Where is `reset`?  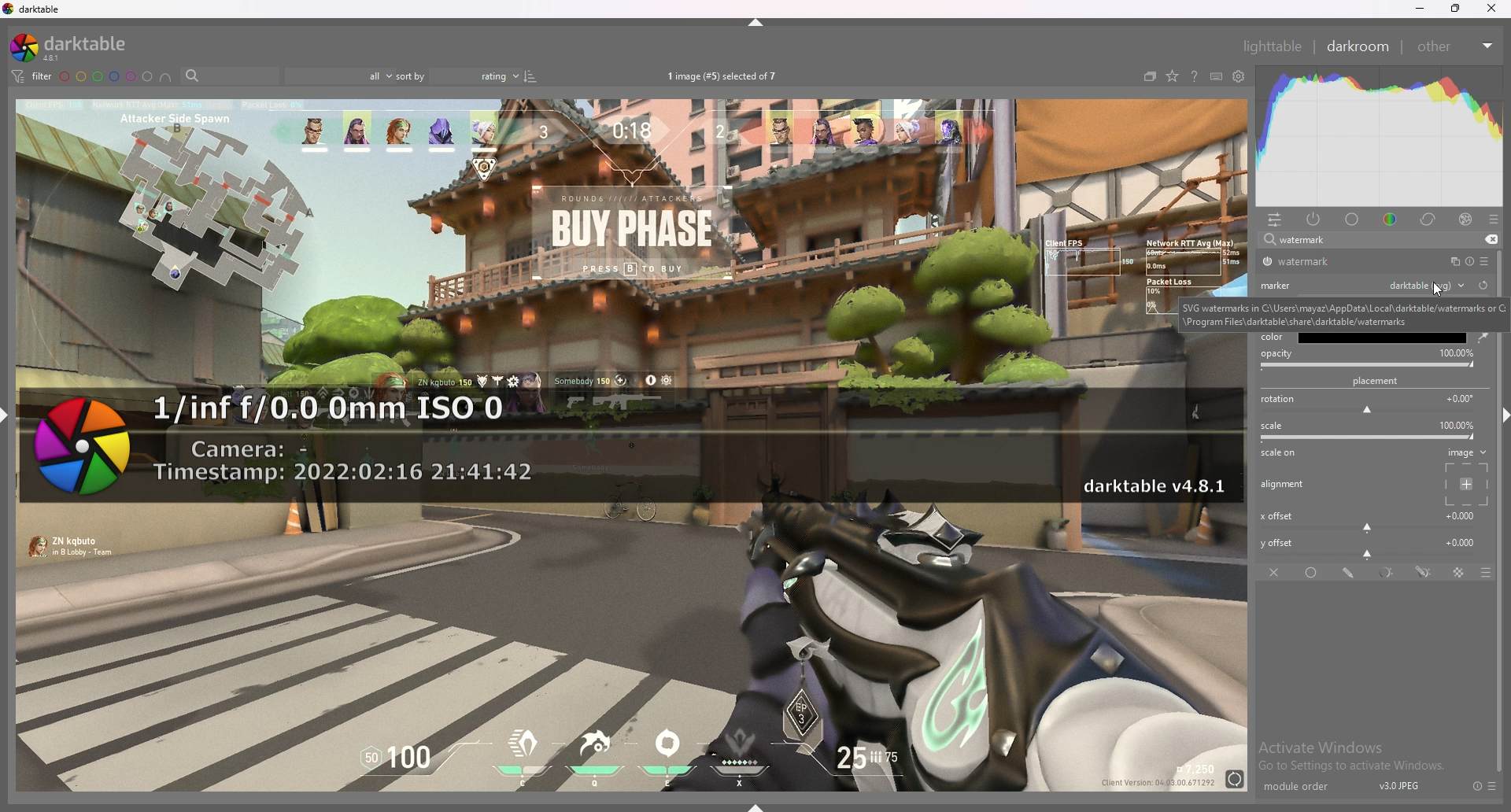
reset is located at coordinates (1469, 262).